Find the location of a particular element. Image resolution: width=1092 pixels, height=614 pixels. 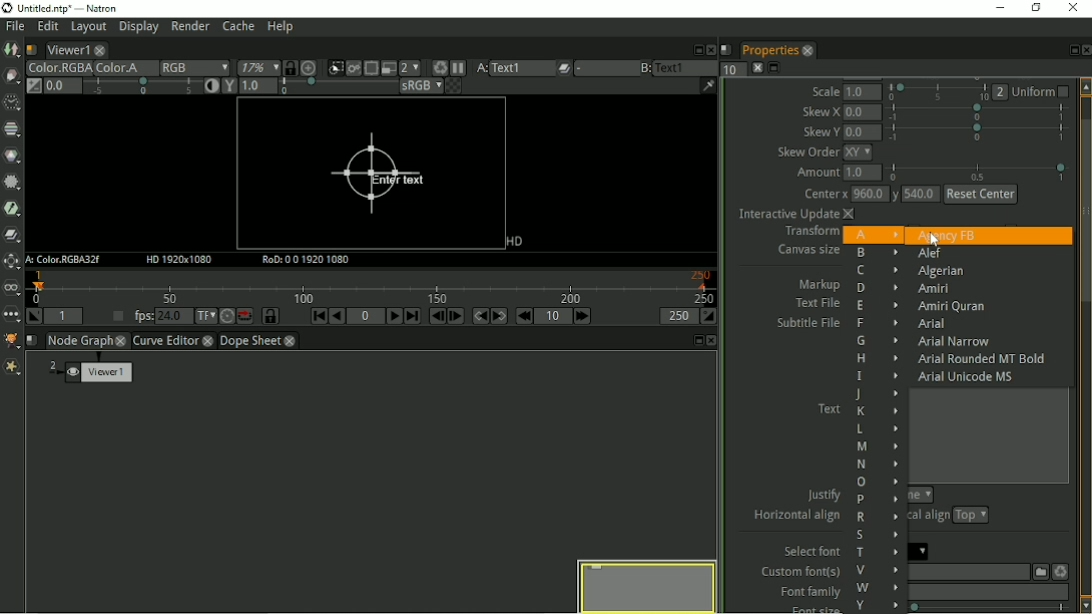

Synchronize viewers is located at coordinates (289, 66).